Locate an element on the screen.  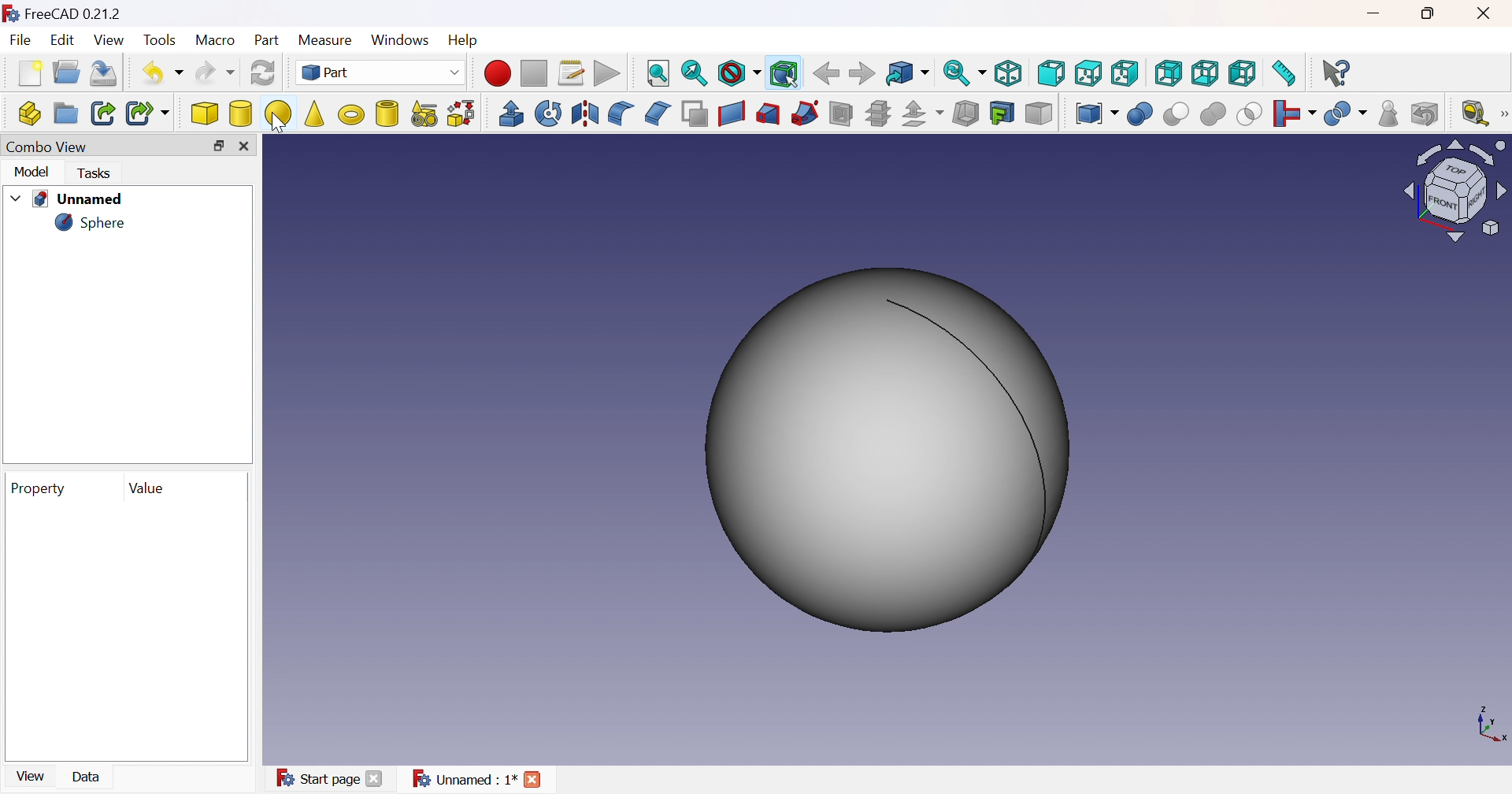
Macros is located at coordinates (572, 73).